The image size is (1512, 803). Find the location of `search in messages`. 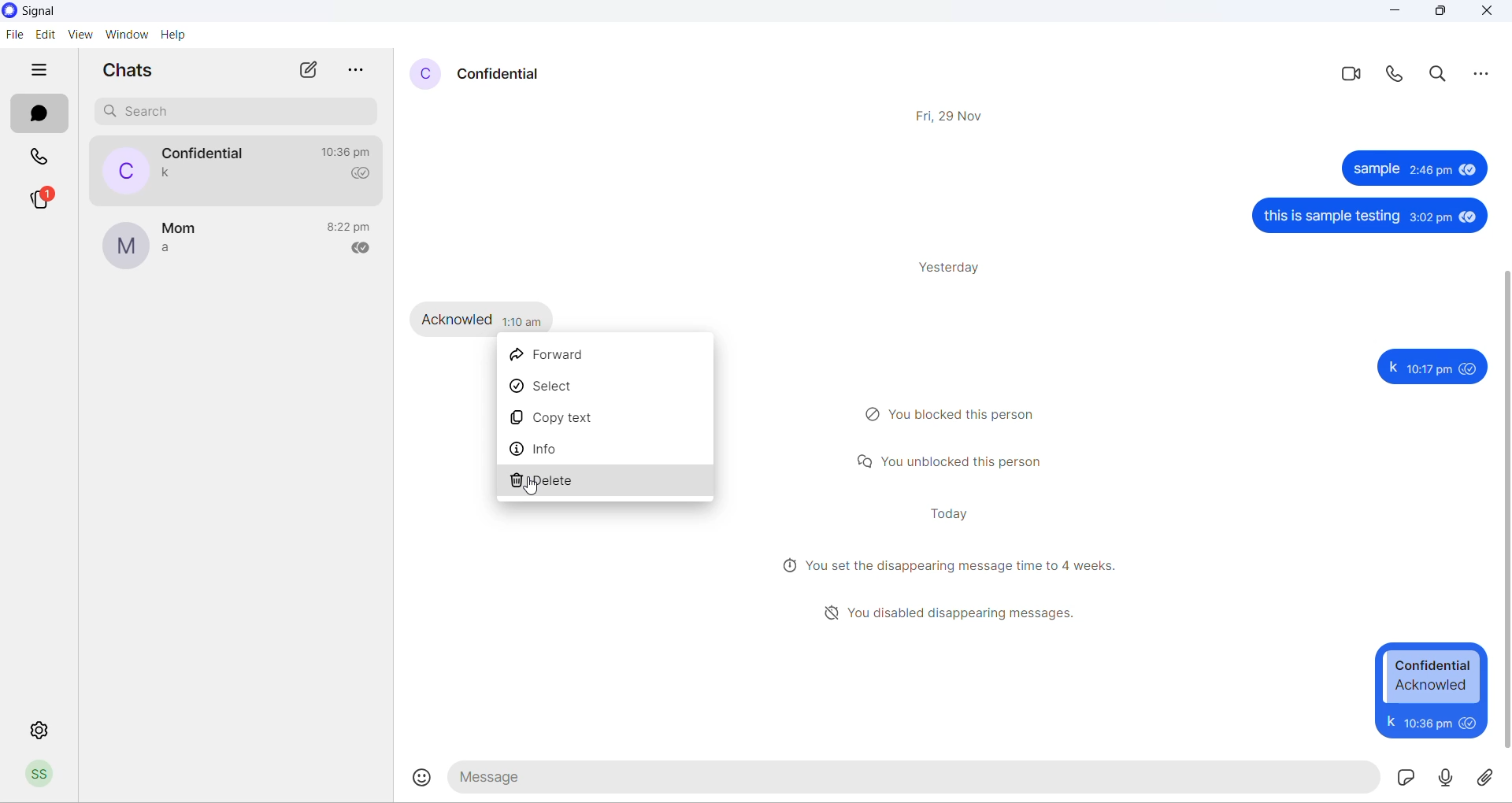

search in messages is located at coordinates (1440, 73).